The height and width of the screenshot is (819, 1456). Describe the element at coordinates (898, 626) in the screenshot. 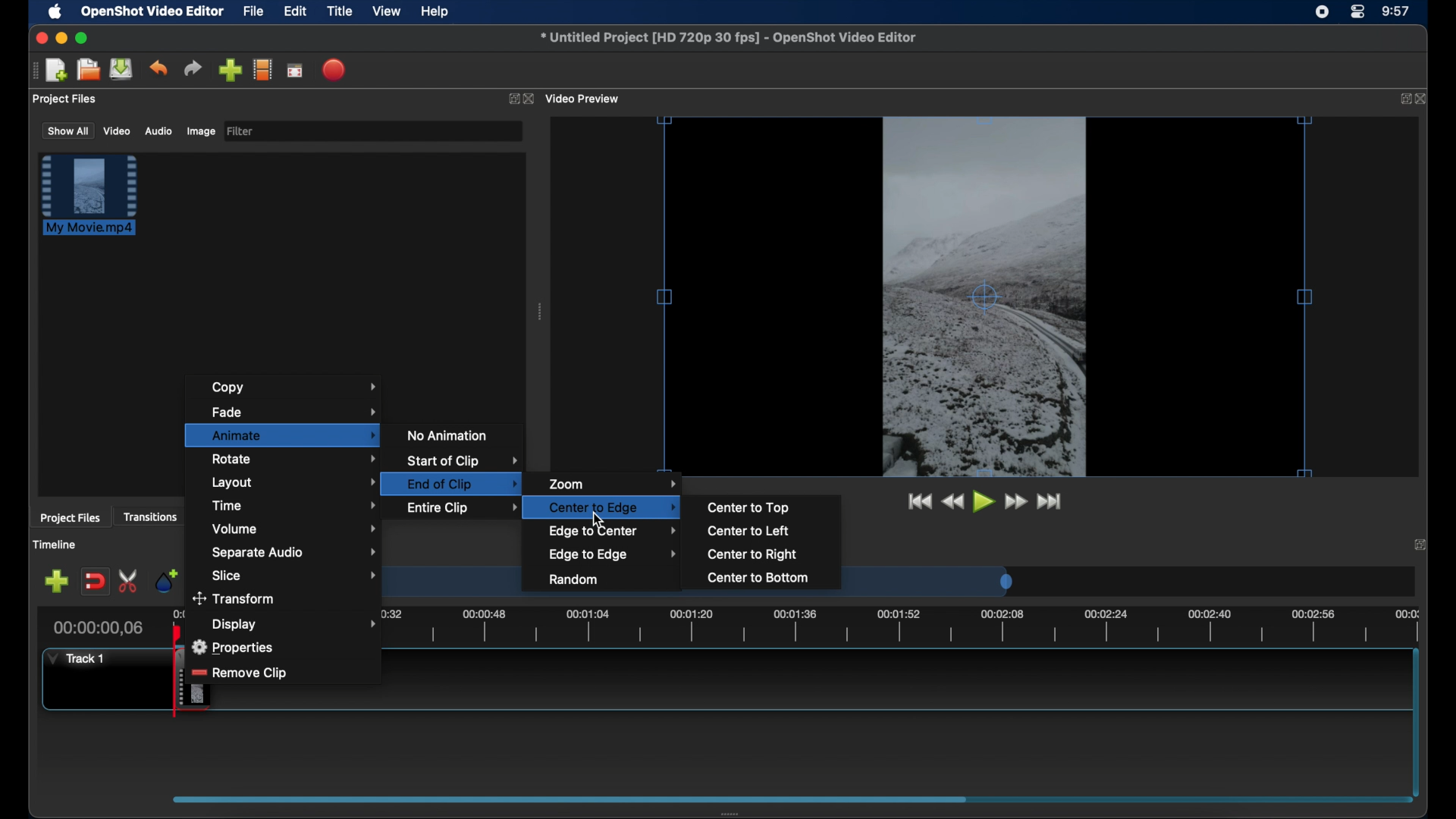

I see `timeline scale` at that location.